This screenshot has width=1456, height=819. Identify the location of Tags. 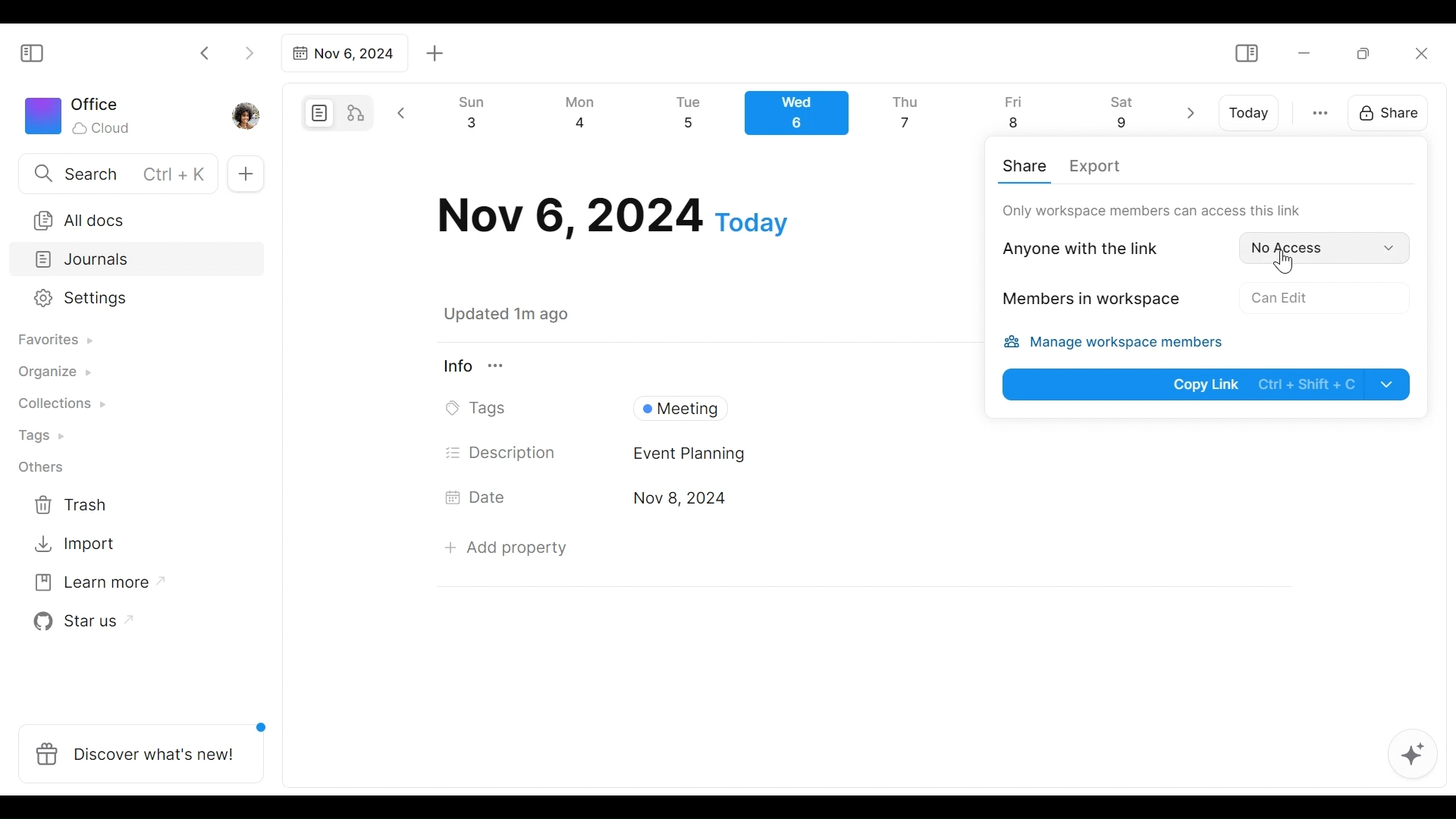
(43, 438).